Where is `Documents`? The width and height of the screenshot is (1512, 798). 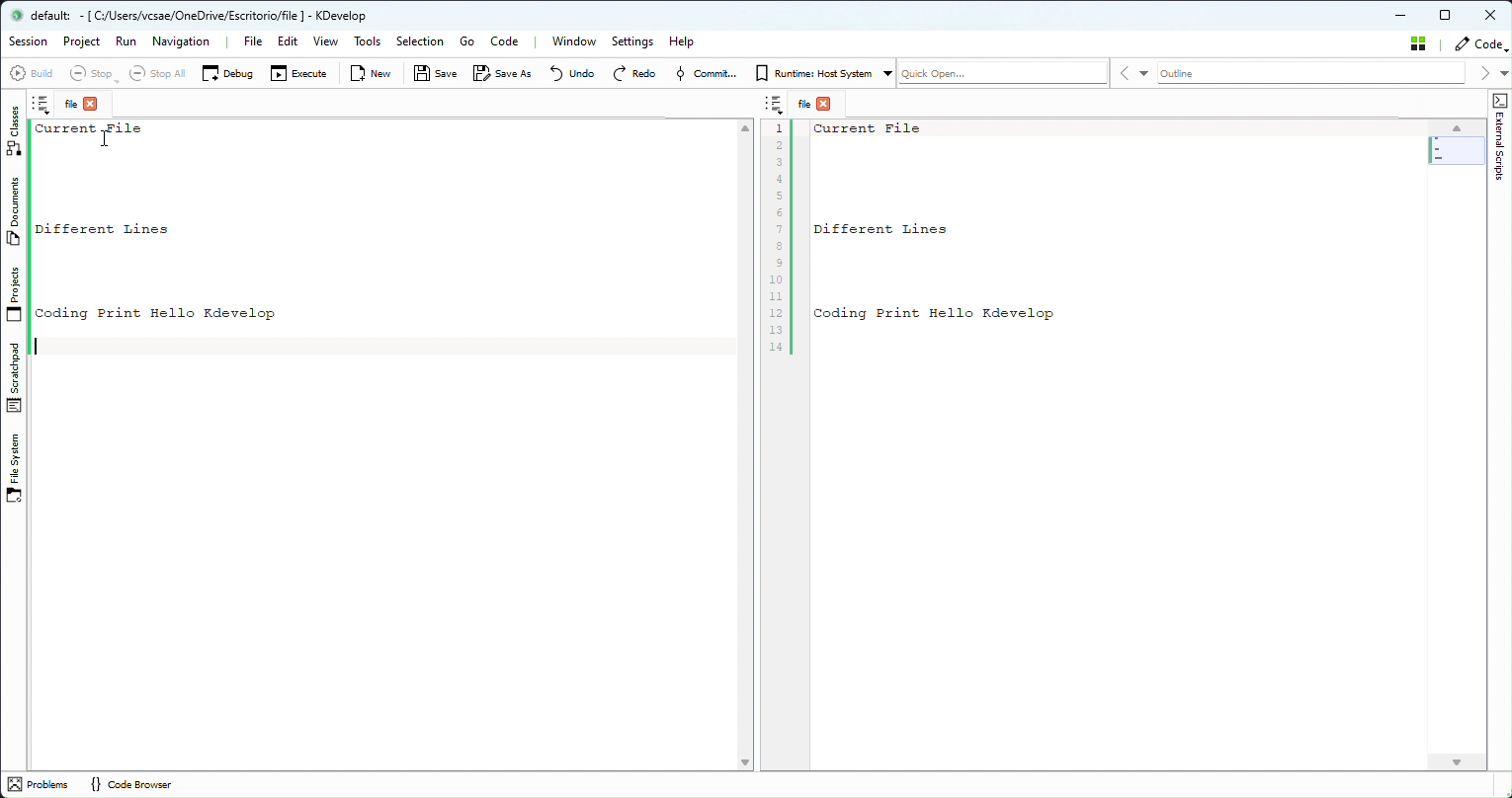
Documents is located at coordinates (18, 213).